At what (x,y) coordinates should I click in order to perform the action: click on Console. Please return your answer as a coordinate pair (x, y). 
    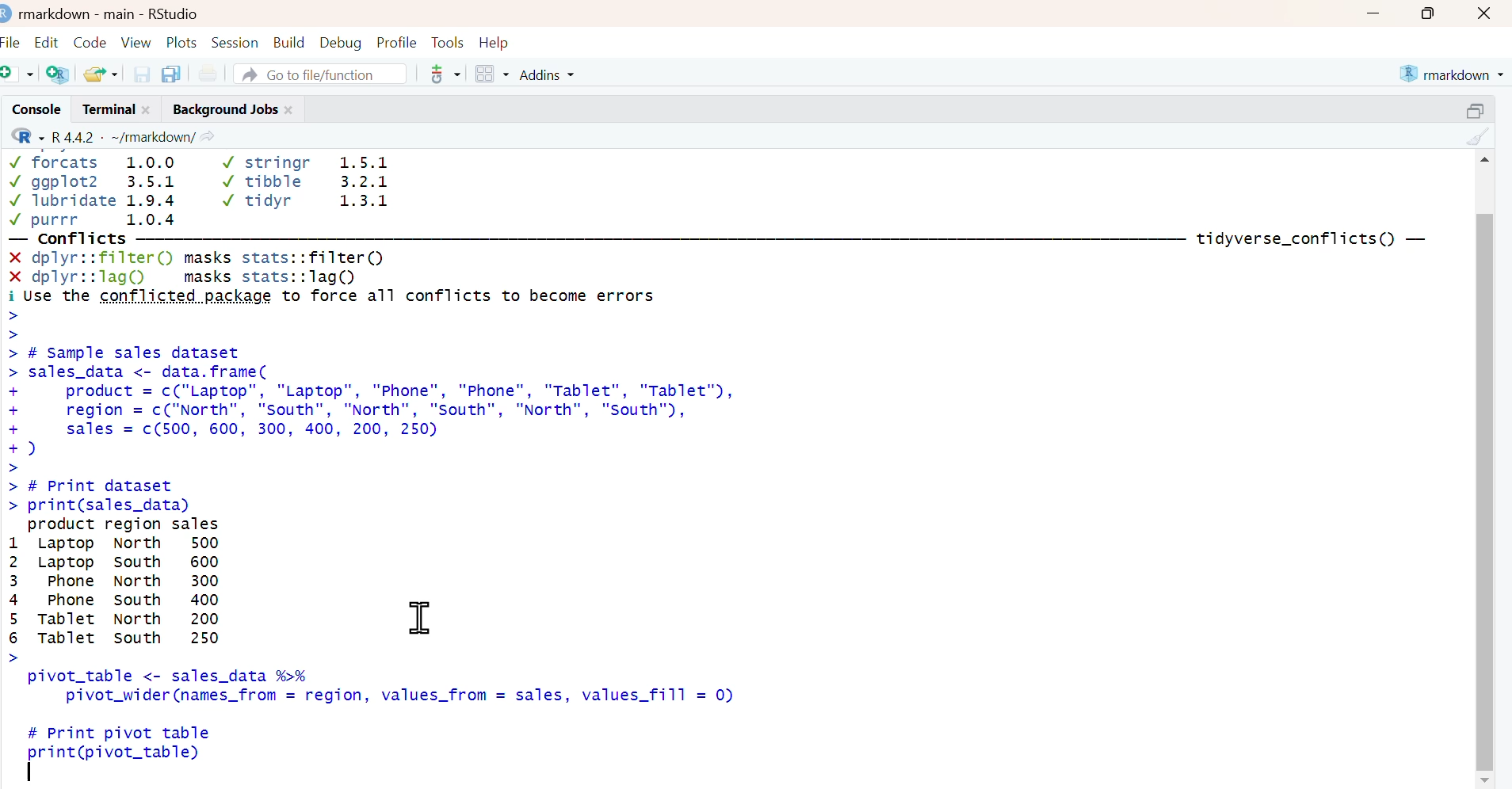
    Looking at the image, I should click on (33, 109).